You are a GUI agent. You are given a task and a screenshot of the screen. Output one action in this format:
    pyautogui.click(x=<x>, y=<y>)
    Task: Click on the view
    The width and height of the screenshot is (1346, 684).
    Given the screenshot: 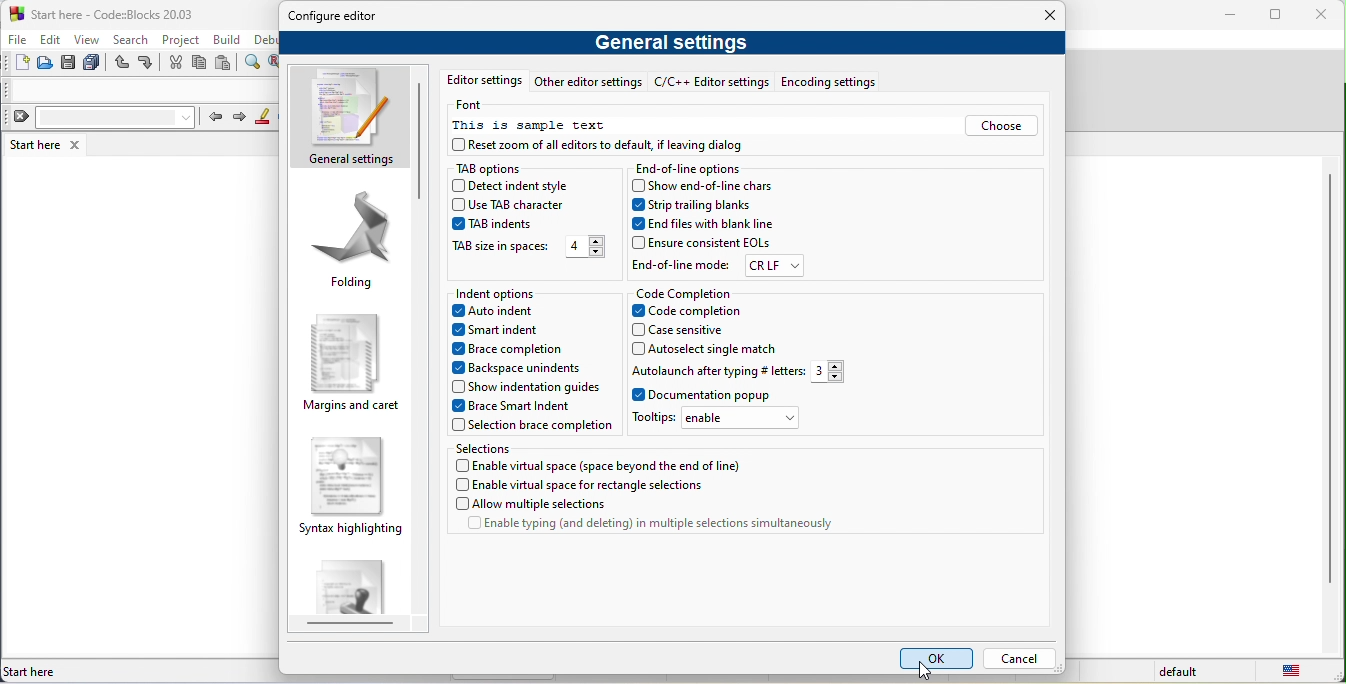 What is the action you would take?
    pyautogui.click(x=90, y=42)
    